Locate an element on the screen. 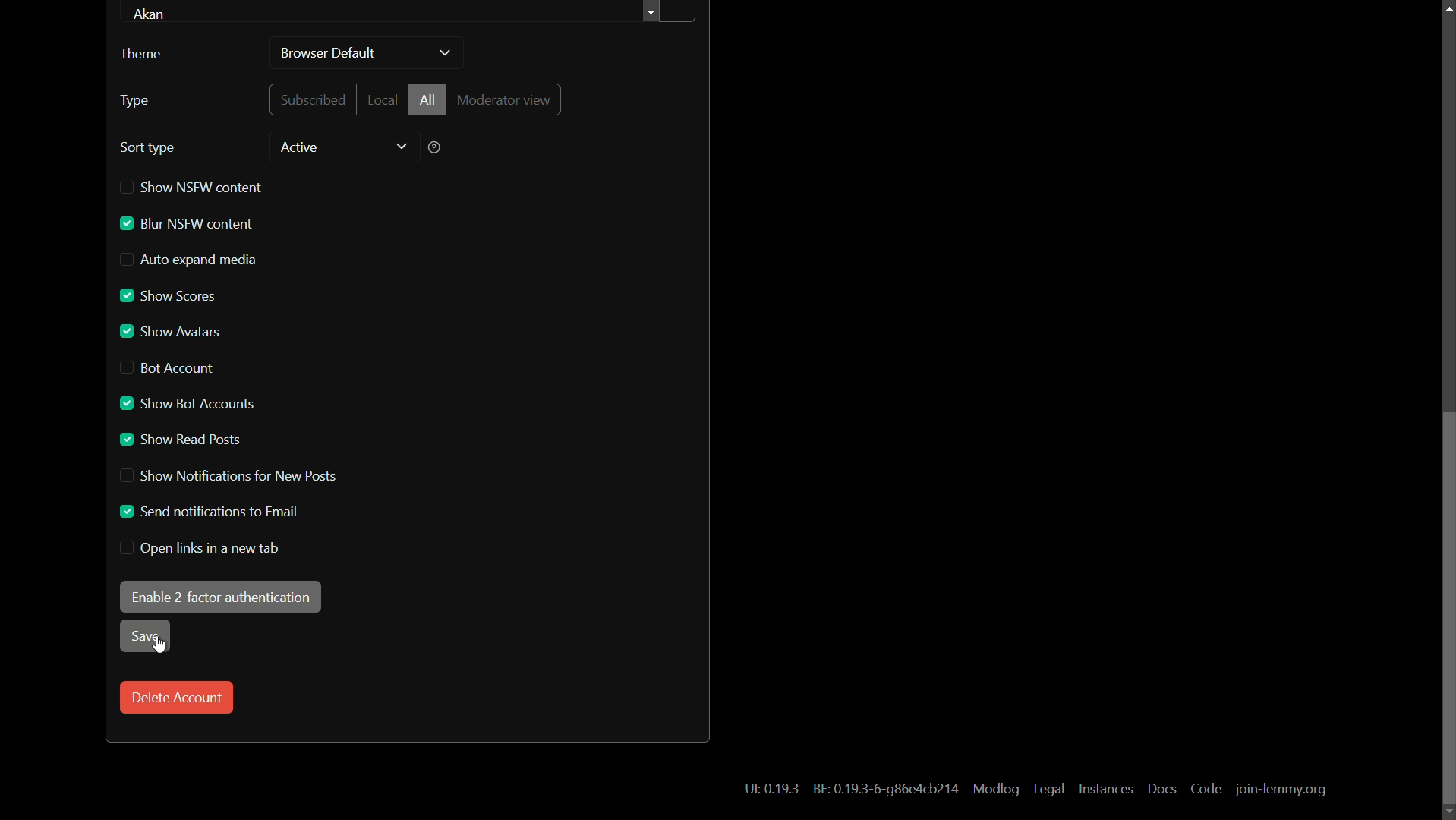 This screenshot has height=820, width=1456. join lemmy.org is located at coordinates (1279, 790).